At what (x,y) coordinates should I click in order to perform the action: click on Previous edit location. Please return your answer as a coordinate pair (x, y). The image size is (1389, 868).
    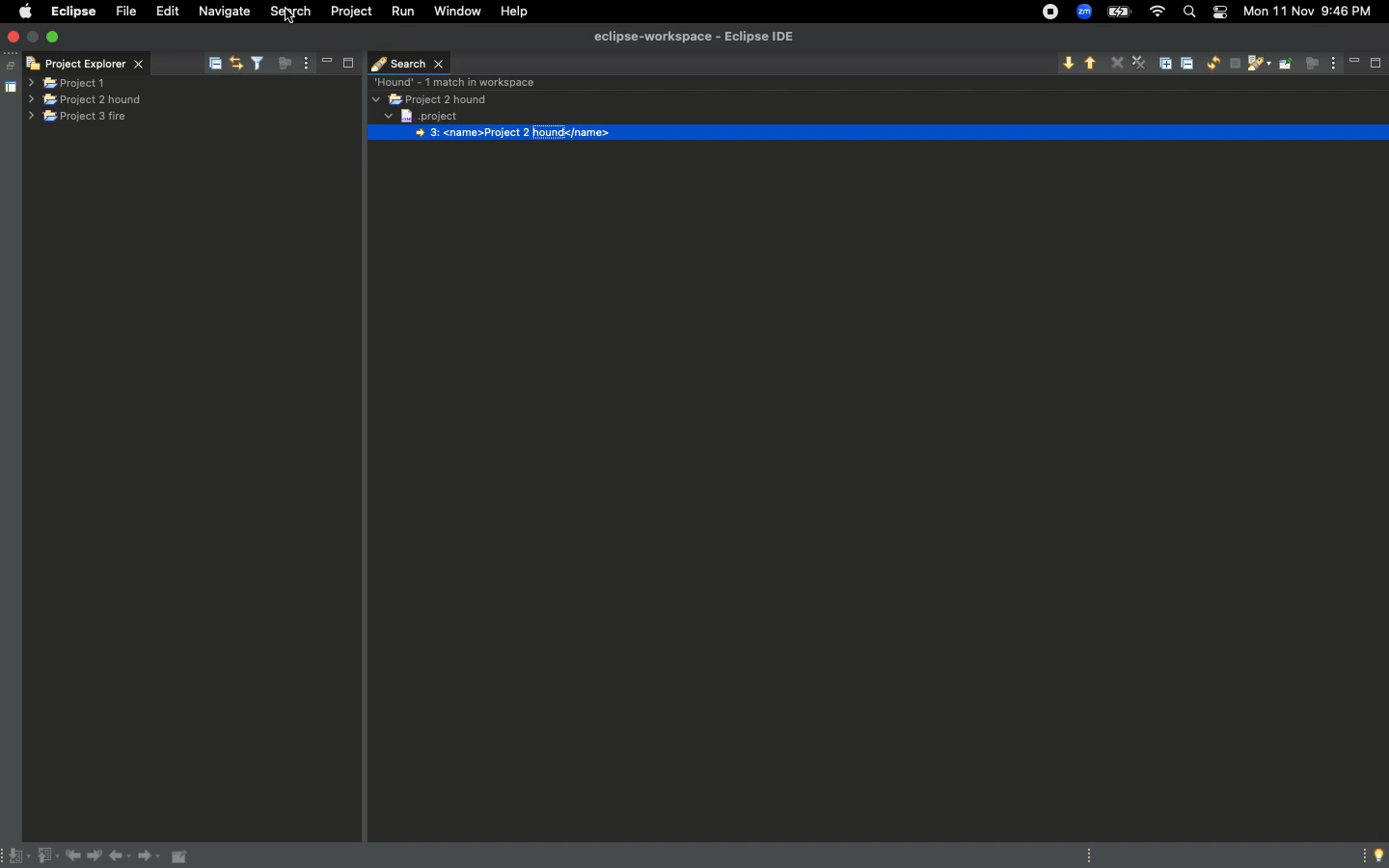
    Looking at the image, I should click on (76, 856).